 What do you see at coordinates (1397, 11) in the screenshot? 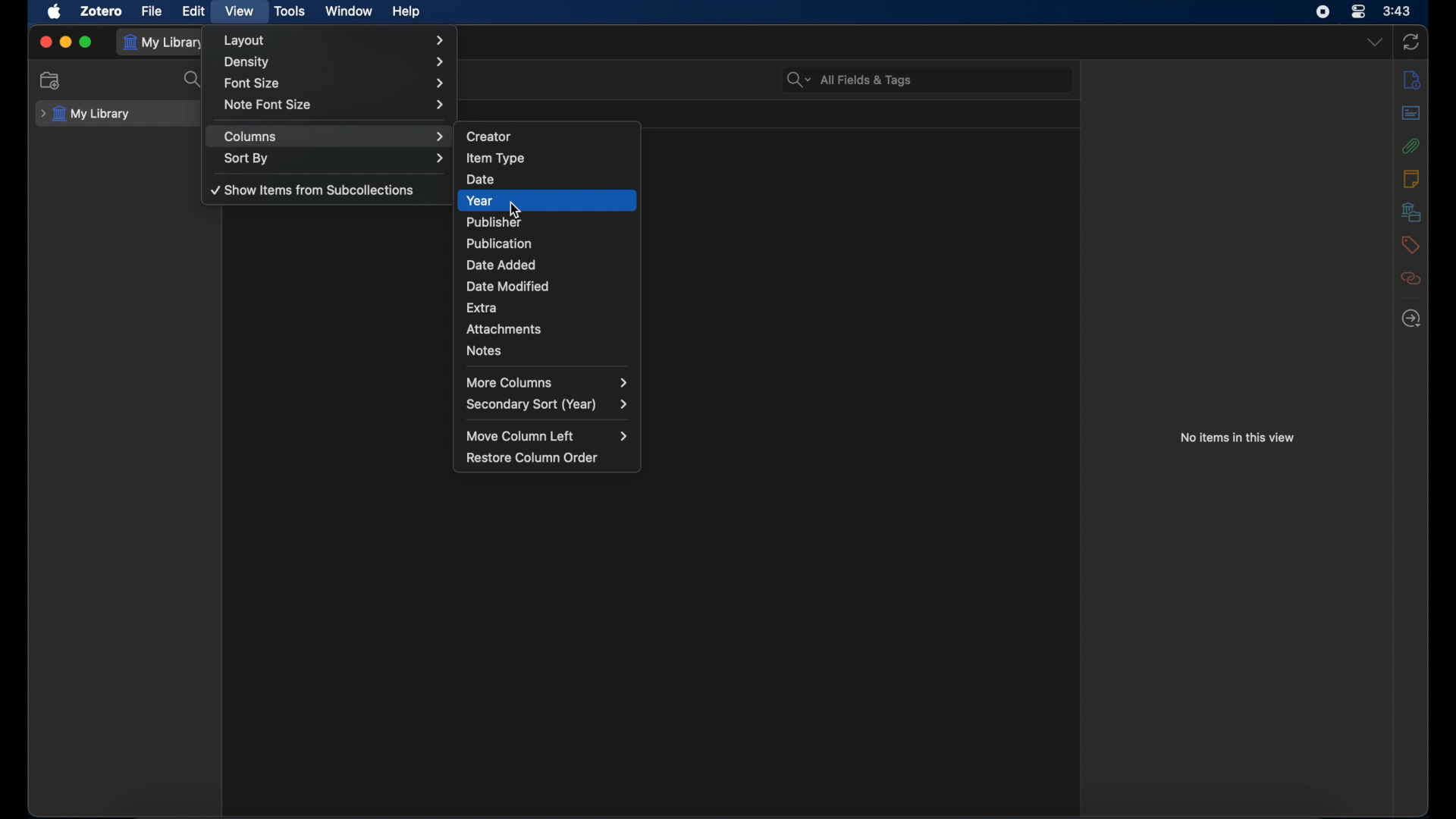
I see `time` at bounding box center [1397, 11].